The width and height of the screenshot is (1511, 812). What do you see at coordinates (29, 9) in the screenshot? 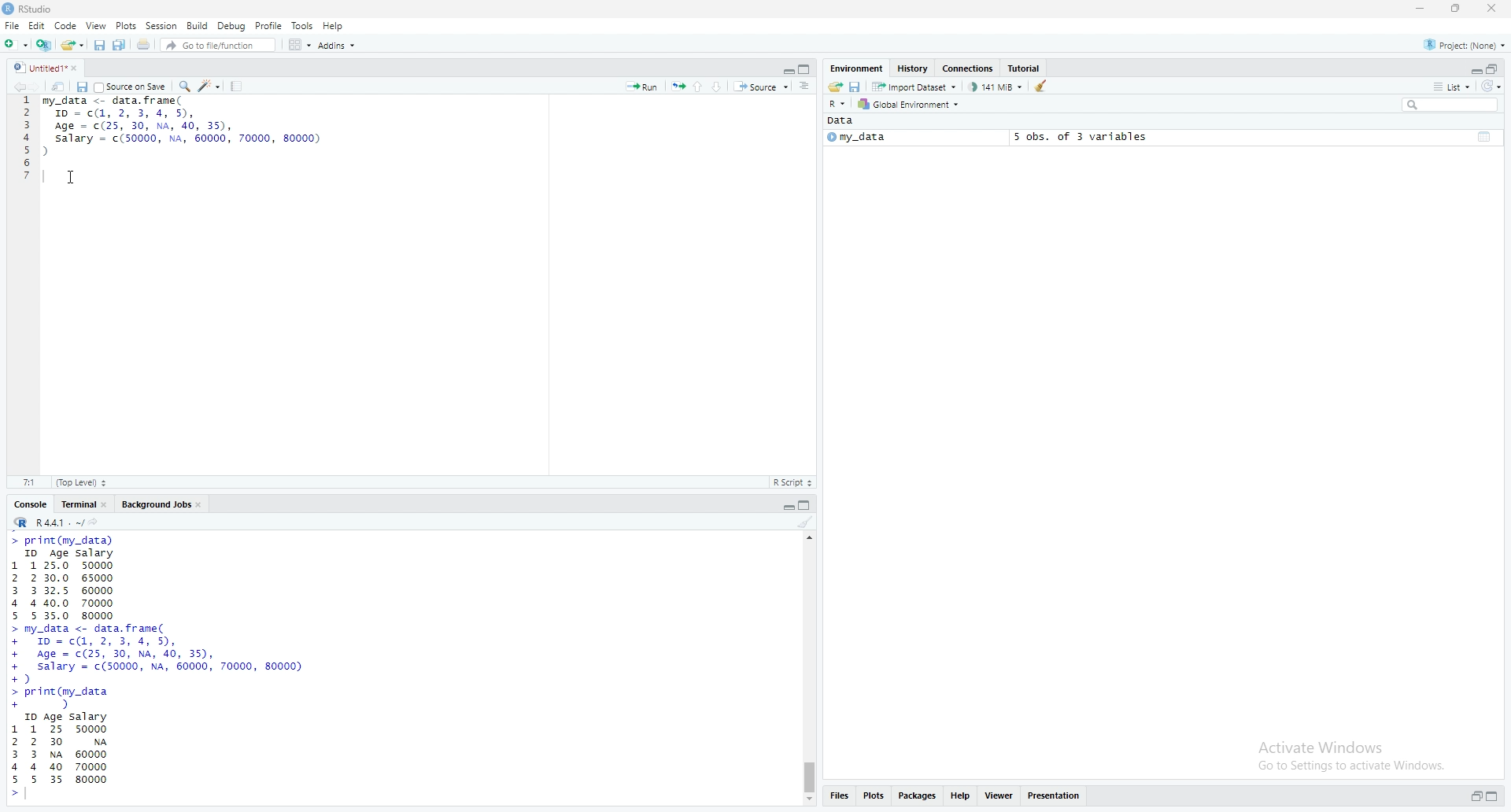
I see `Rstudio` at bounding box center [29, 9].